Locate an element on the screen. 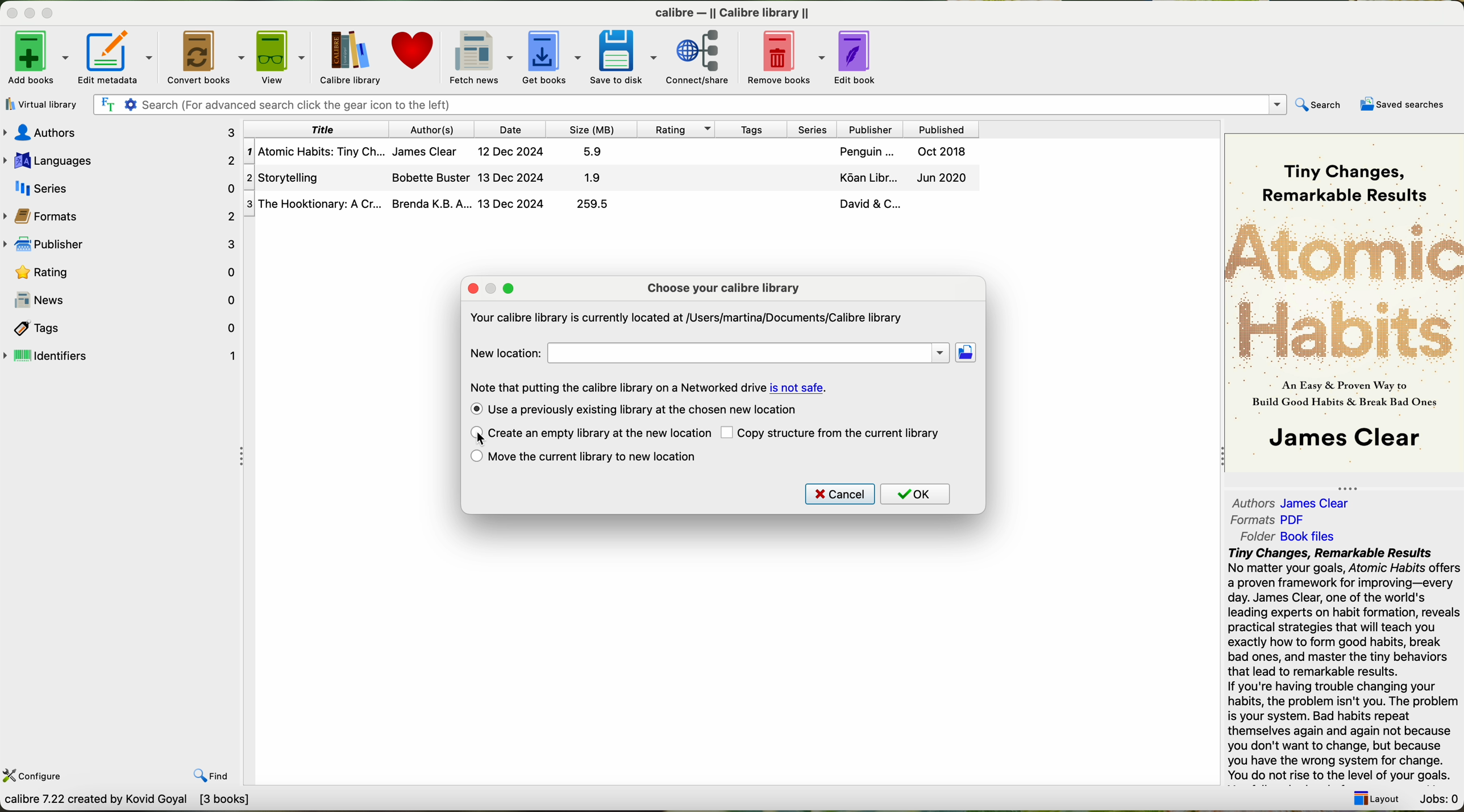 The width and height of the screenshot is (1464, 812). publisher is located at coordinates (868, 129).